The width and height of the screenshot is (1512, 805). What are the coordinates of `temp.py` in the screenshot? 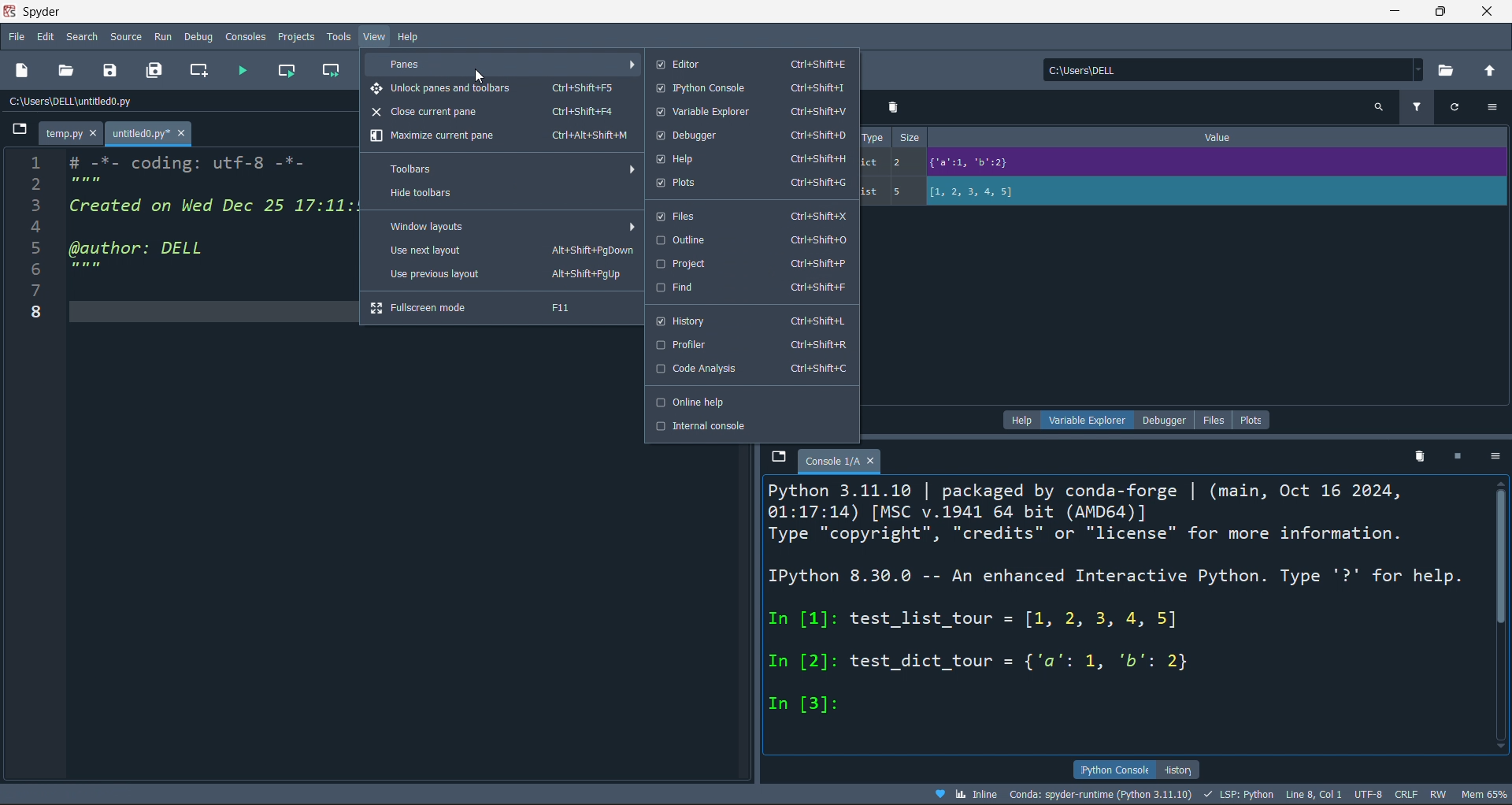 It's located at (70, 133).